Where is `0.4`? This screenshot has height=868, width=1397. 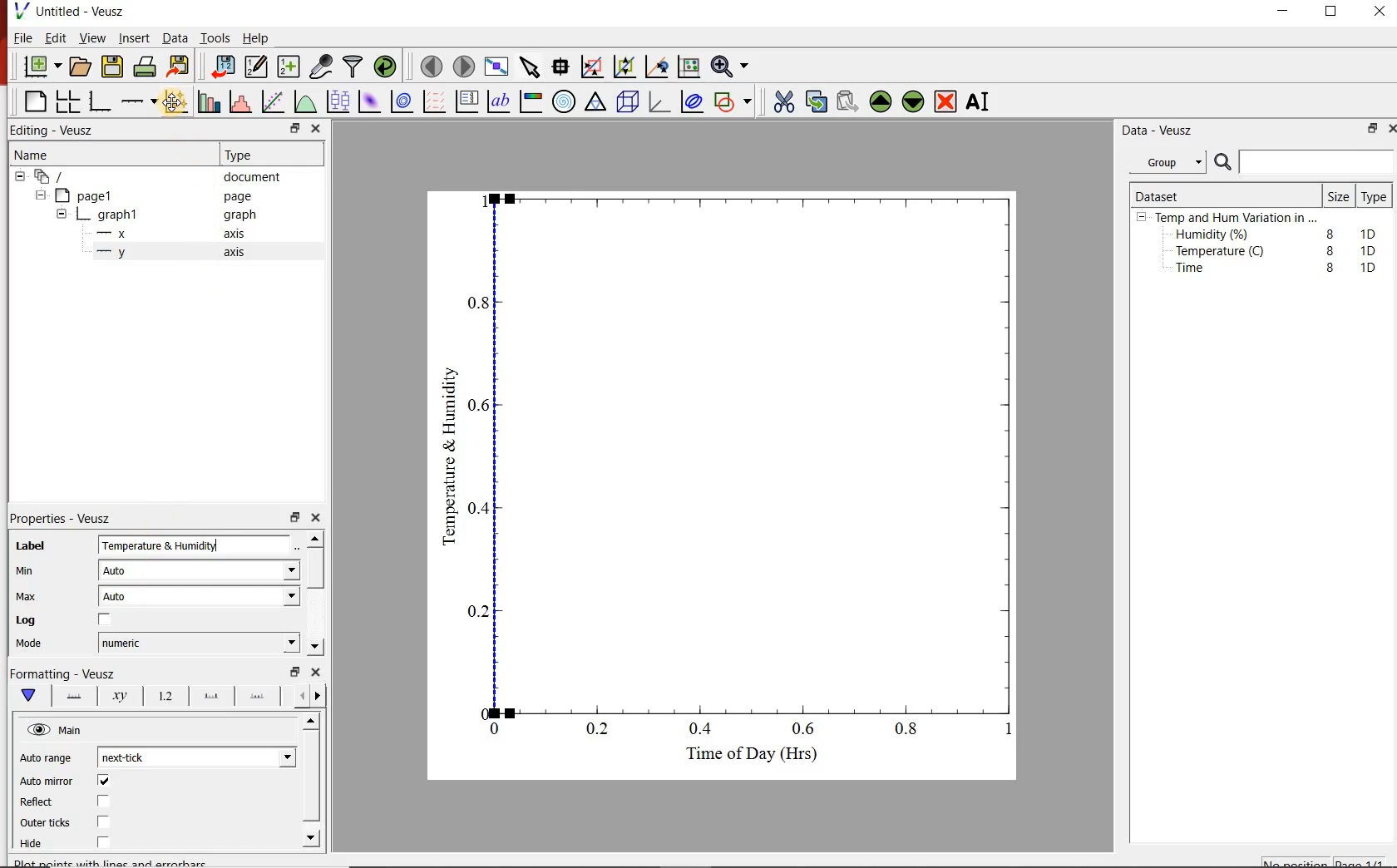 0.4 is located at coordinates (703, 730).